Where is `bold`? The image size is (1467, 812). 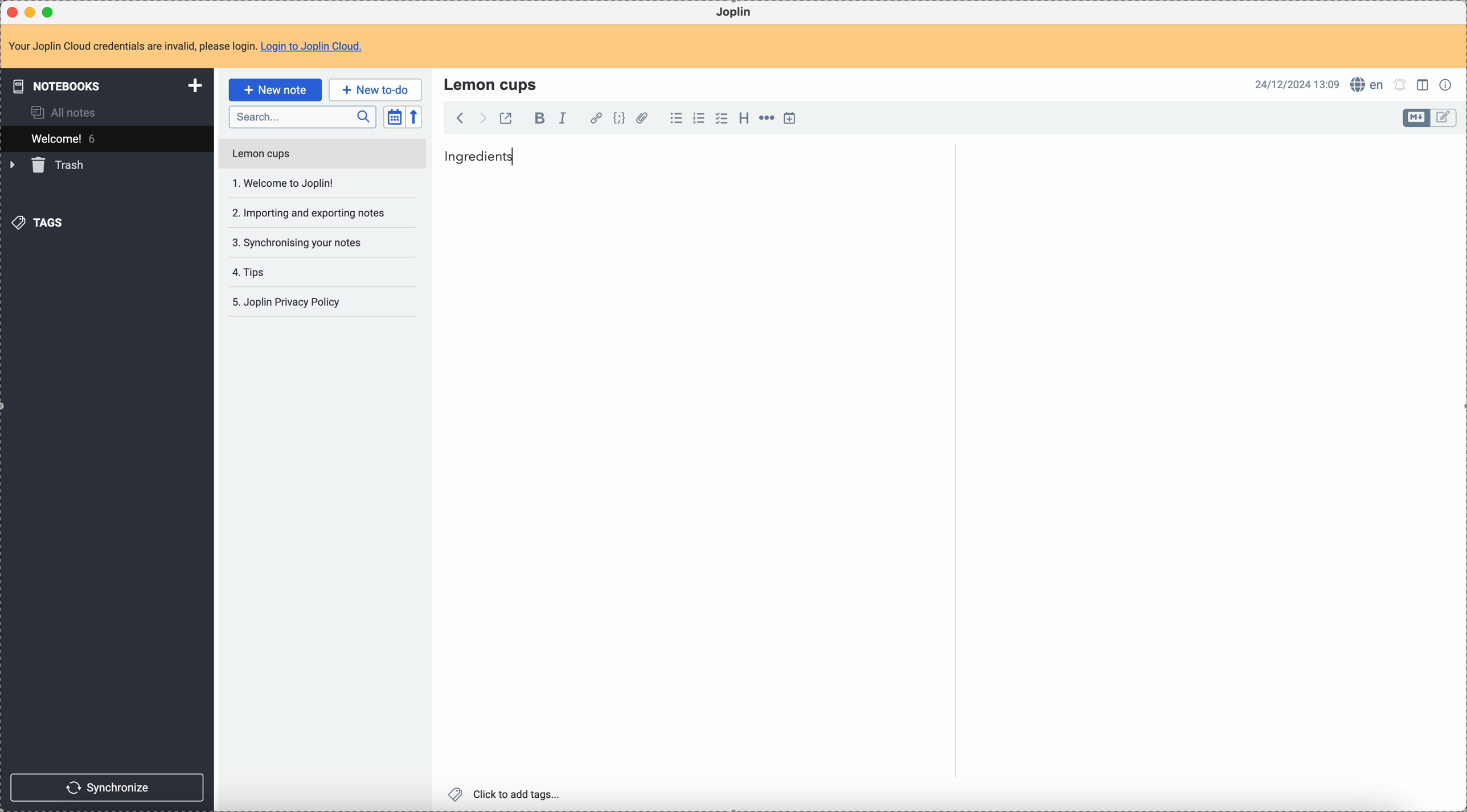 bold is located at coordinates (536, 119).